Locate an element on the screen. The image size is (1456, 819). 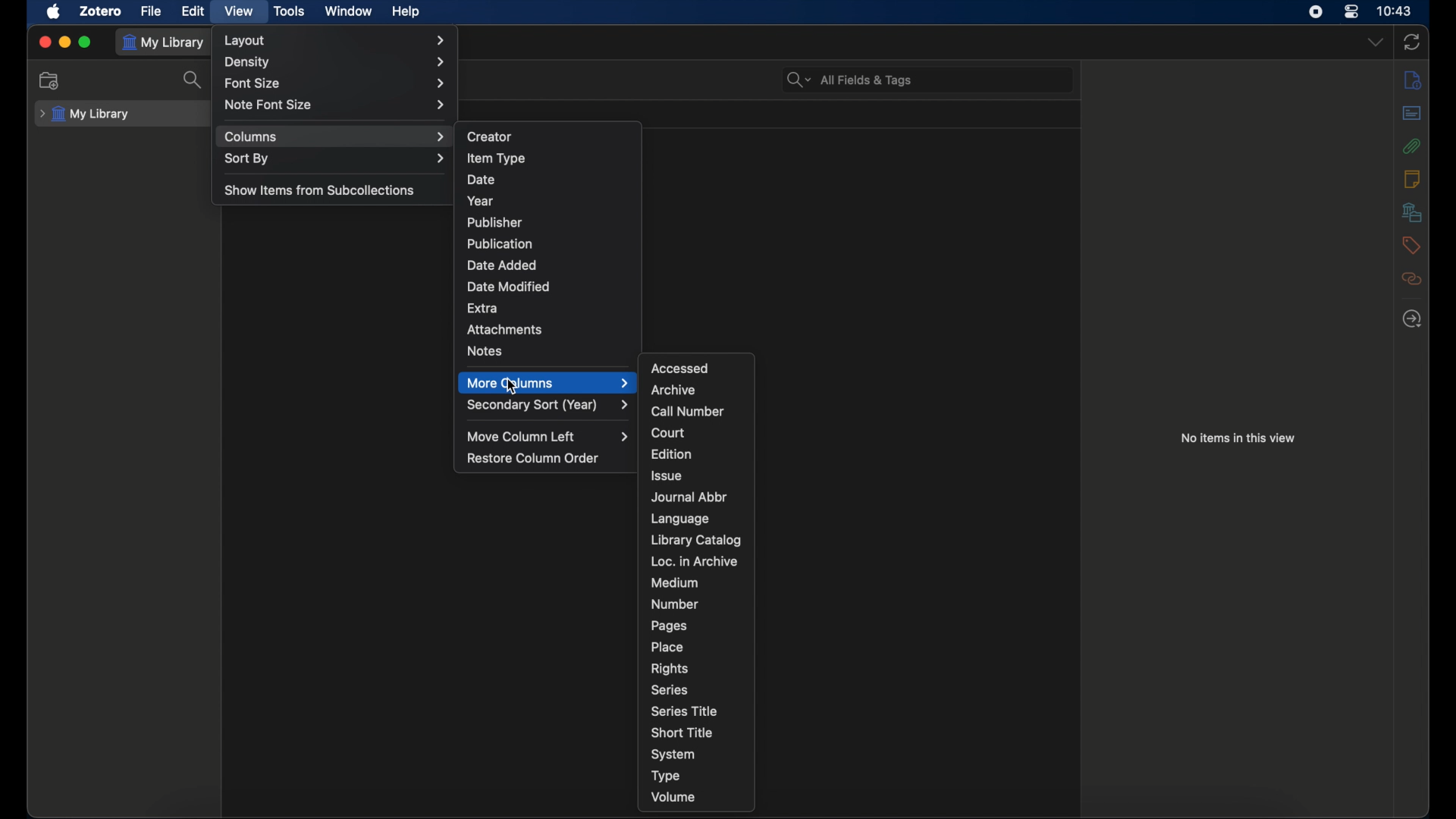
date added is located at coordinates (502, 265).